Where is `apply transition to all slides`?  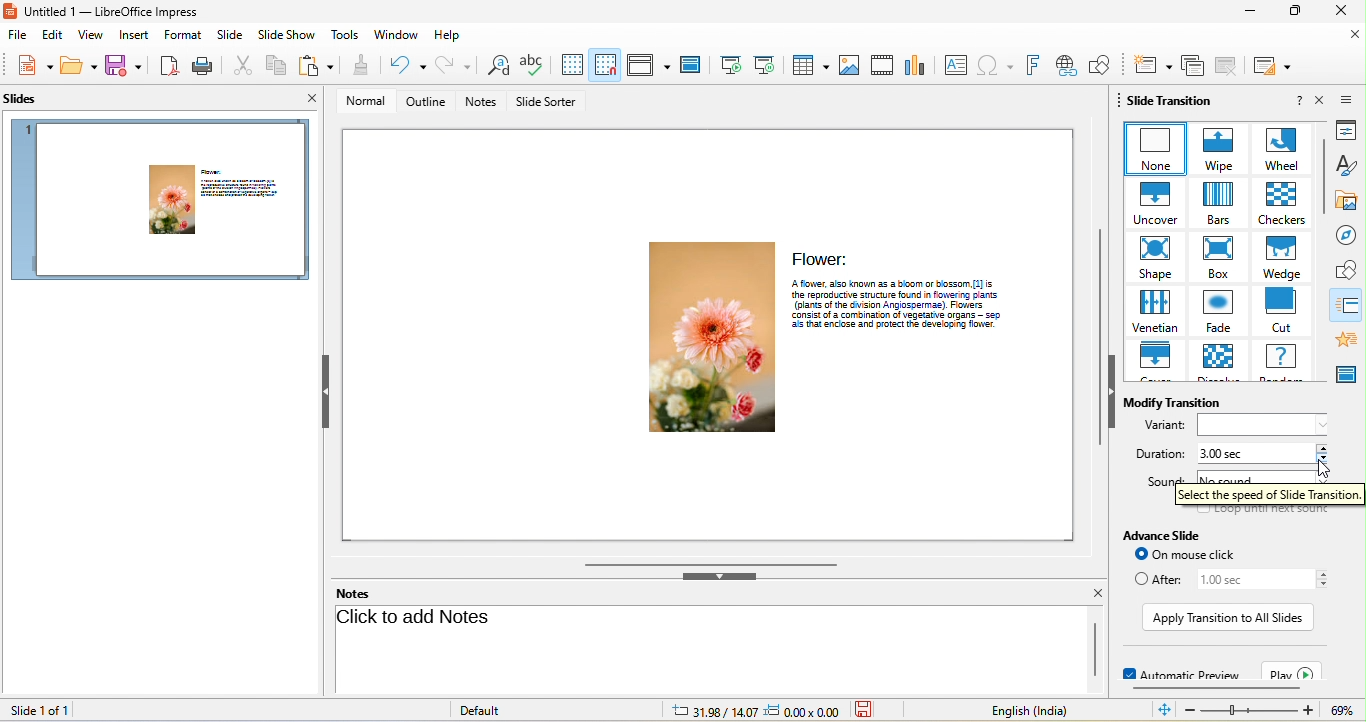 apply transition to all slides is located at coordinates (1227, 618).